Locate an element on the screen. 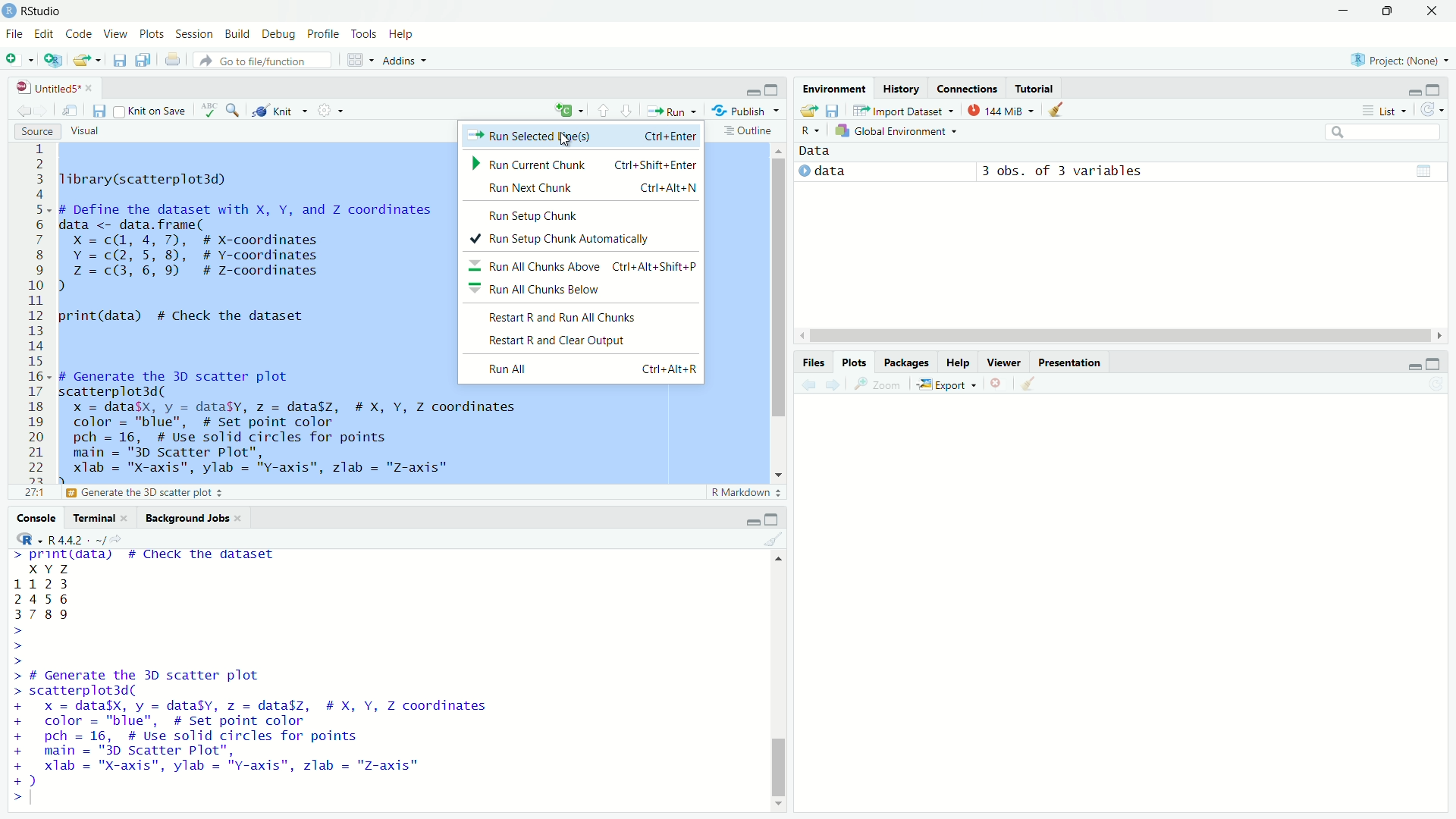 The width and height of the screenshot is (1456, 819). source is located at coordinates (29, 133).